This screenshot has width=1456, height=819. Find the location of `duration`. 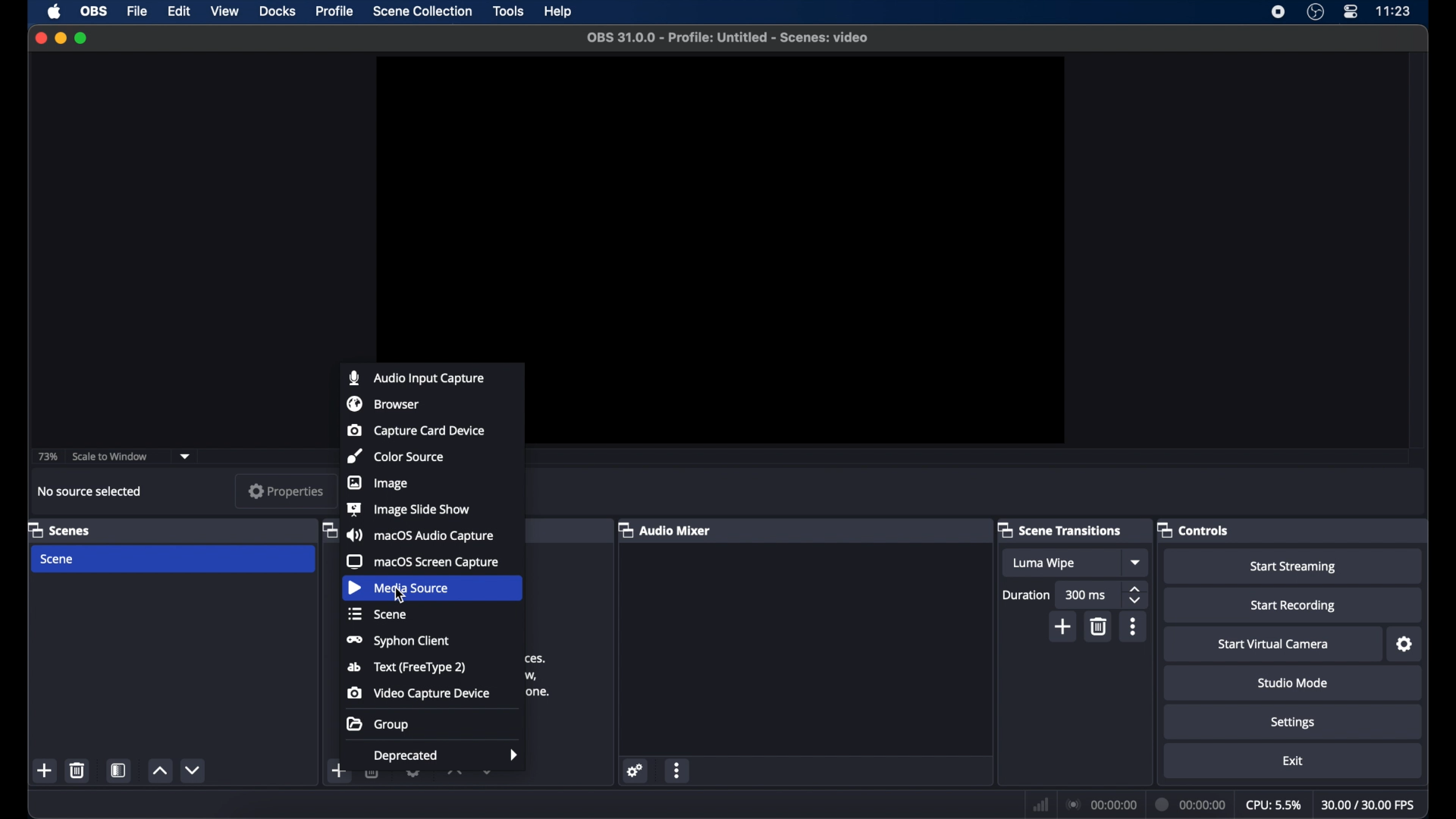

duration is located at coordinates (1192, 805).